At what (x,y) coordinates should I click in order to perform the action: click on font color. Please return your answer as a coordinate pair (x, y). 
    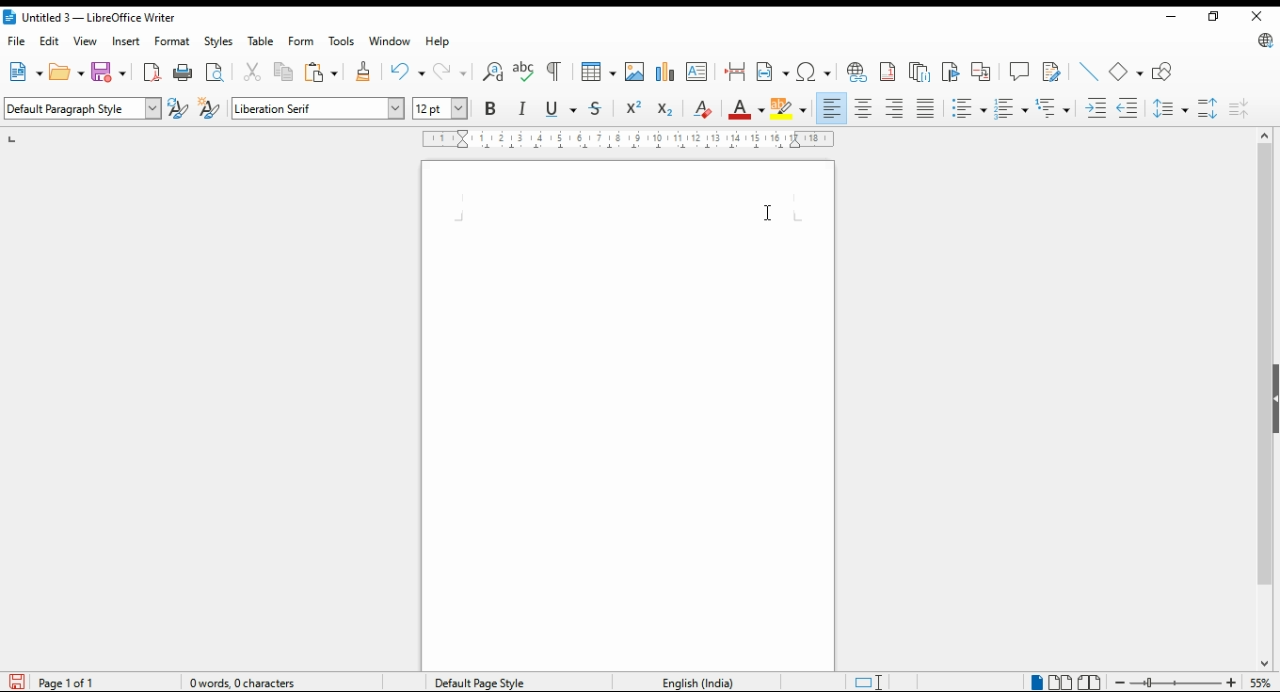
    Looking at the image, I should click on (748, 109).